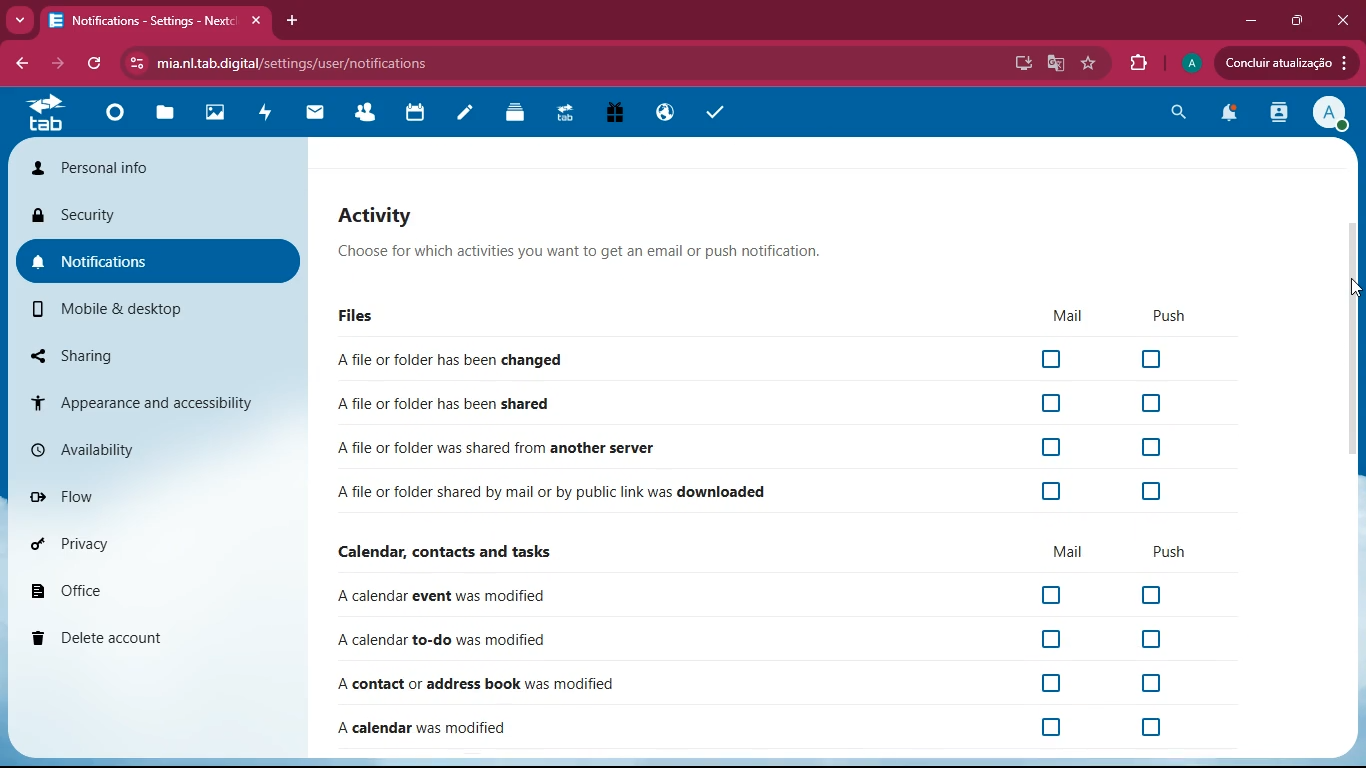 This screenshot has width=1366, height=768. I want to click on availability, so click(156, 450).